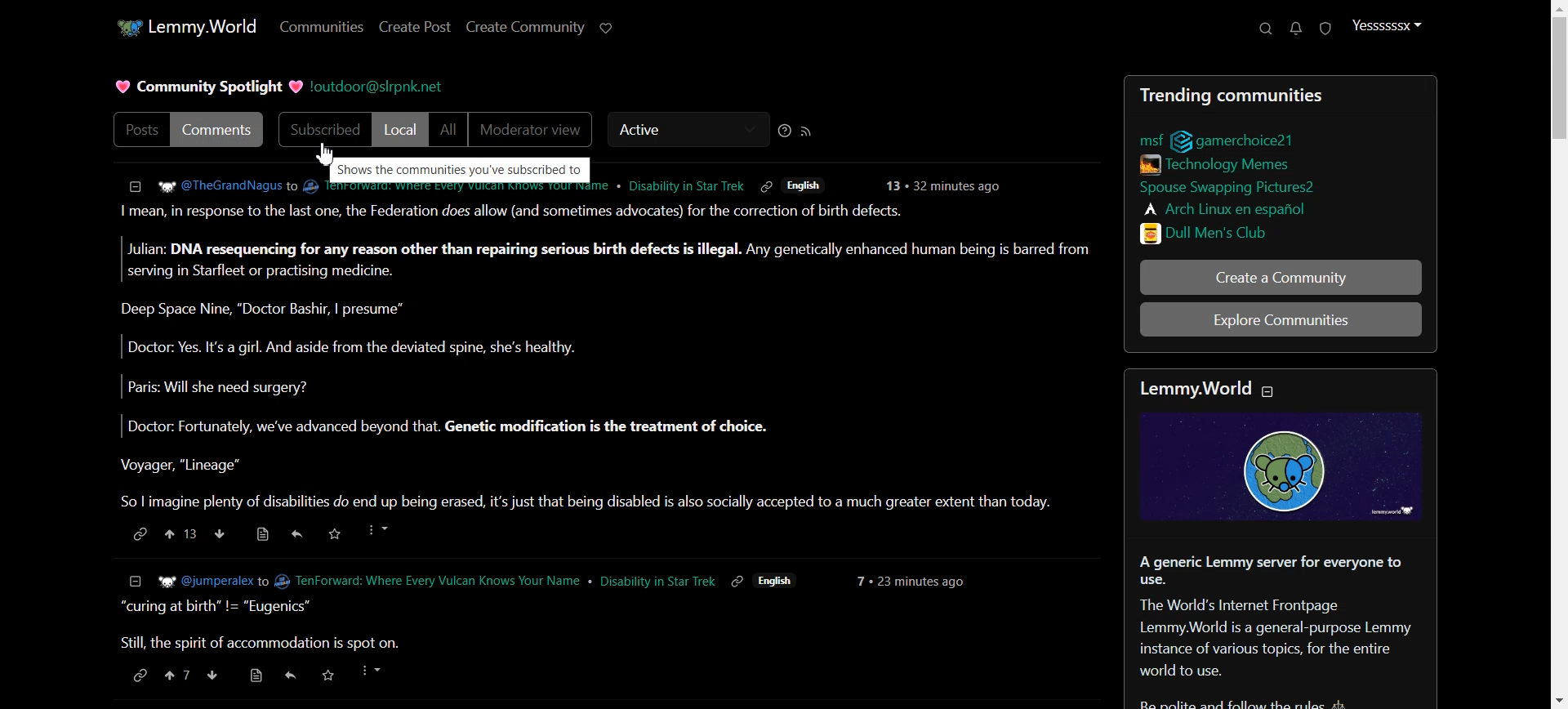  I want to click on bookmark, so click(261, 534).